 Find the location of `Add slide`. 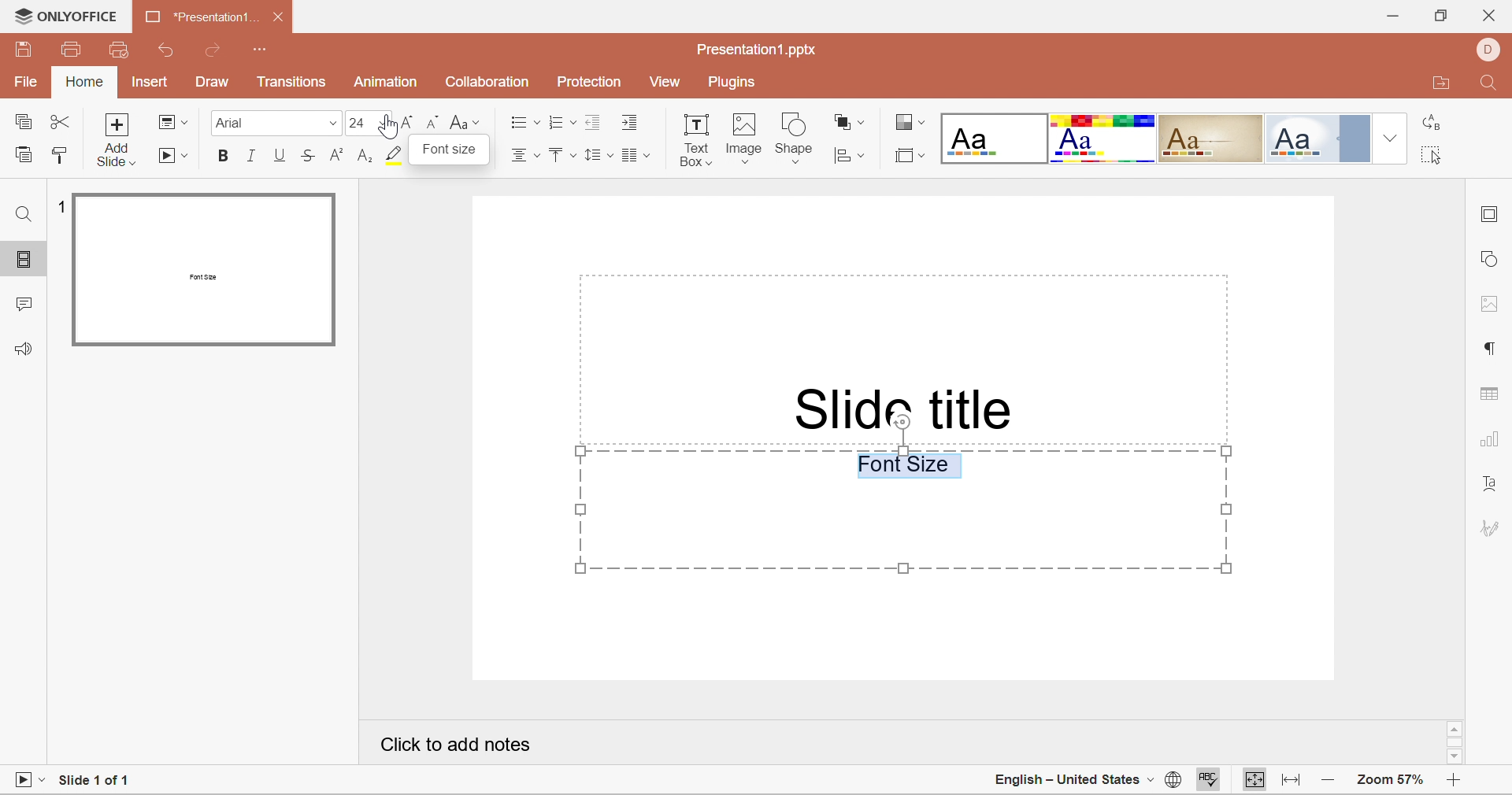

Add slide is located at coordinates (119, 142).